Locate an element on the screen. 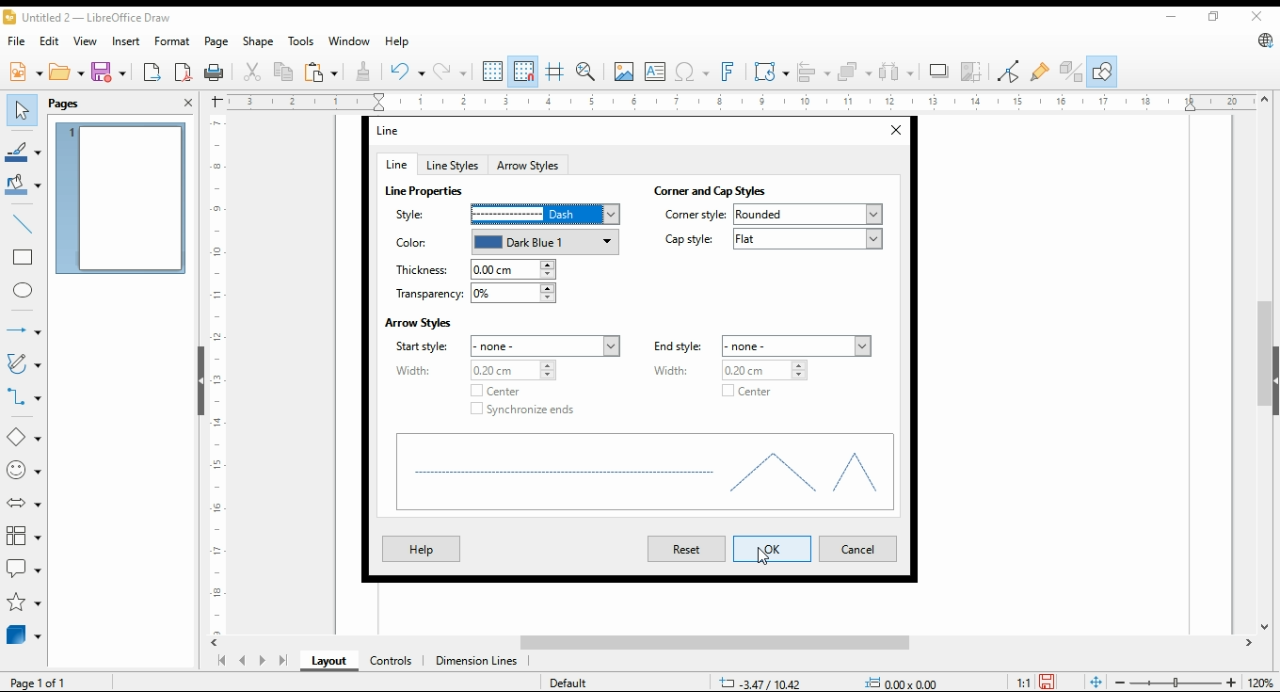 The height and width of the screenshot is (692, 1280). 1:1 is located at coordinates (1023, 681).